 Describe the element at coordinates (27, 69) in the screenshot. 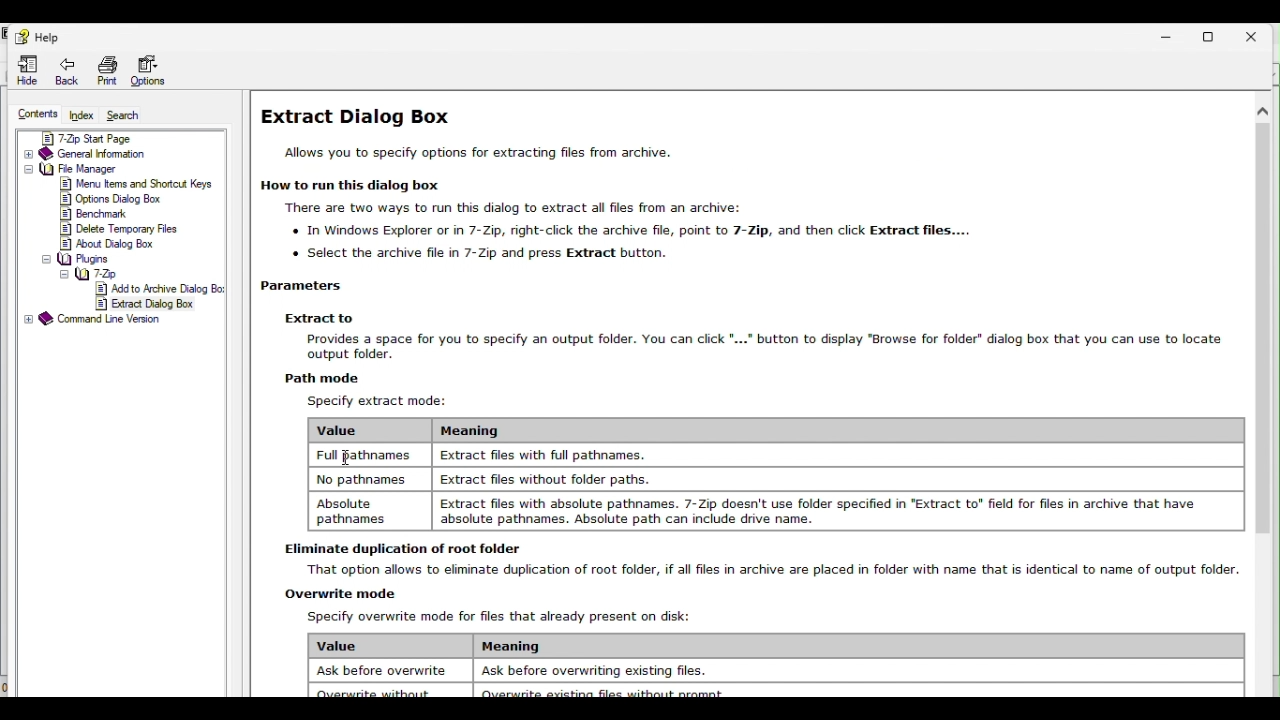

I see `Hide` at that location.